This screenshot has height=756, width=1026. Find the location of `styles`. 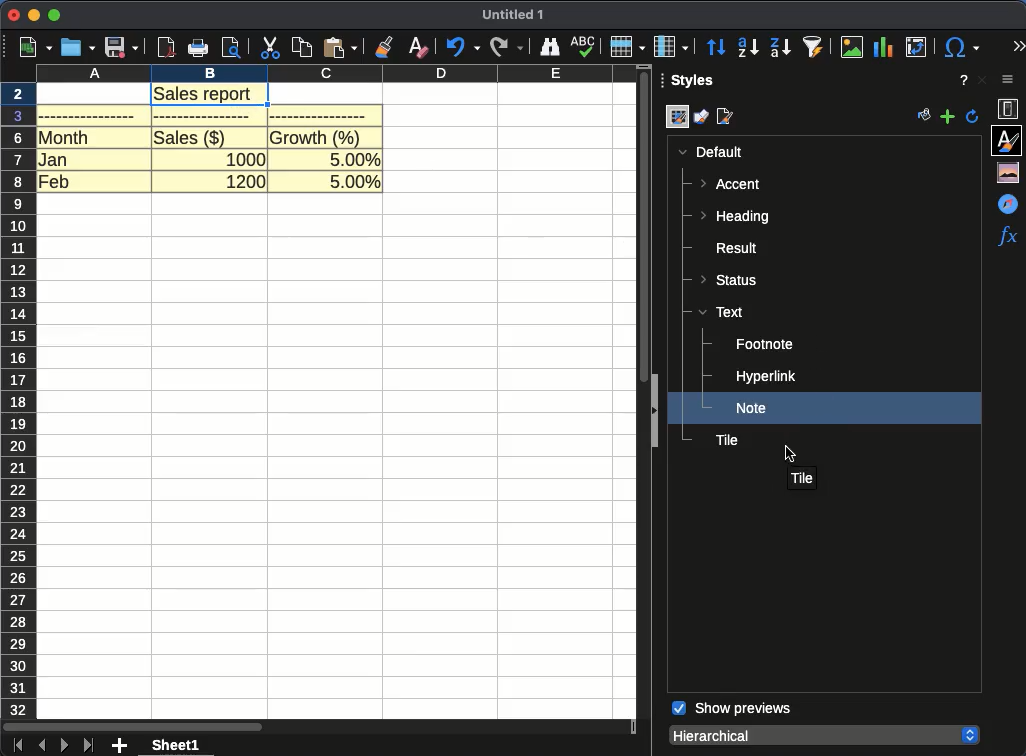

styles is located at coordinates (1009, 139).